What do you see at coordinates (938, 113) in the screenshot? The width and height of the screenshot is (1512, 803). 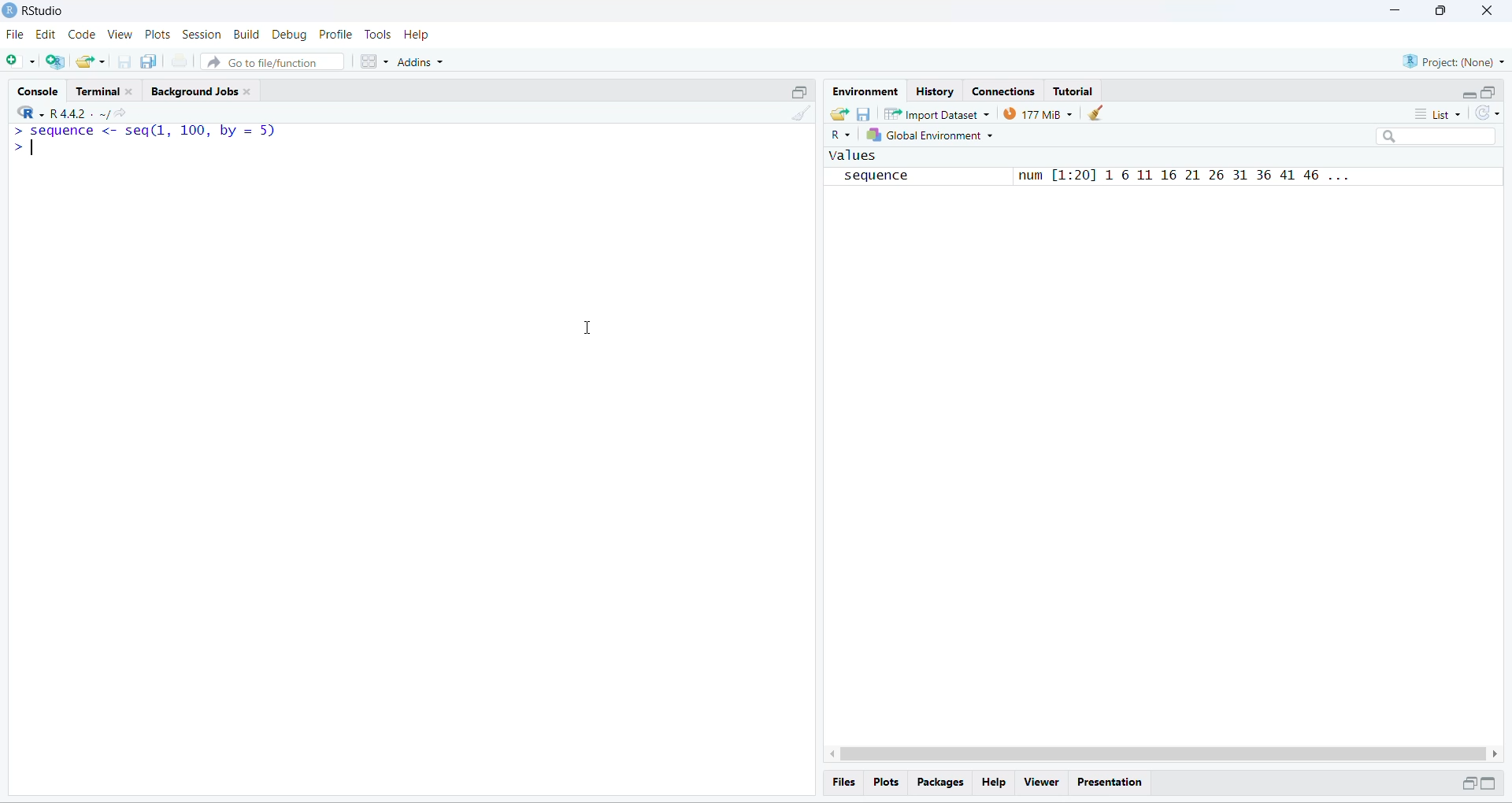 I see `import datasets` at bounding box center [938, 113].